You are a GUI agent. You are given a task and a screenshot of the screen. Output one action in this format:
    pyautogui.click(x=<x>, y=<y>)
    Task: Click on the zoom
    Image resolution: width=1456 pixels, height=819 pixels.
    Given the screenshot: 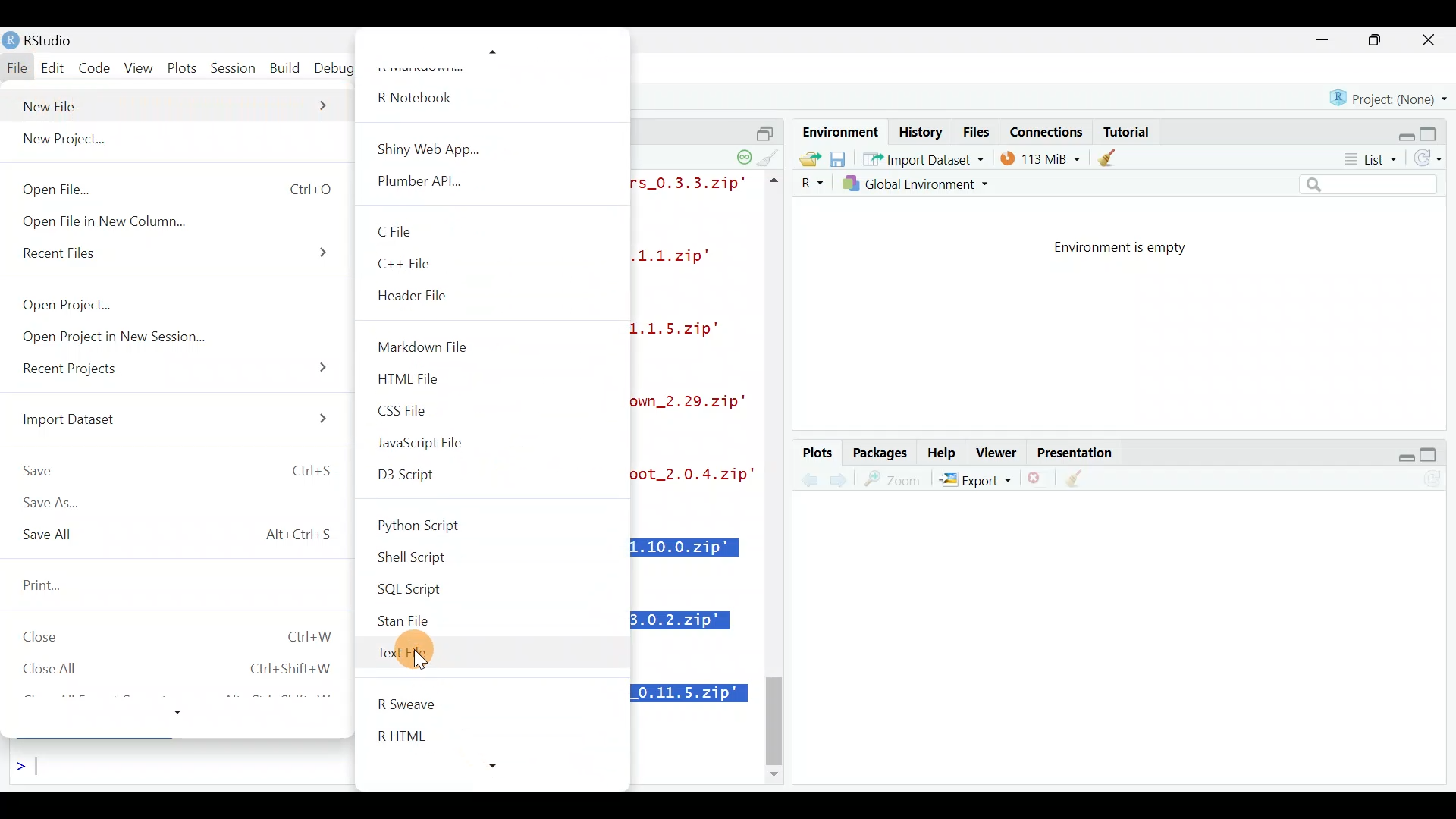 What is the action you would take?
    pyautogui.click(x=896, y=480)
    